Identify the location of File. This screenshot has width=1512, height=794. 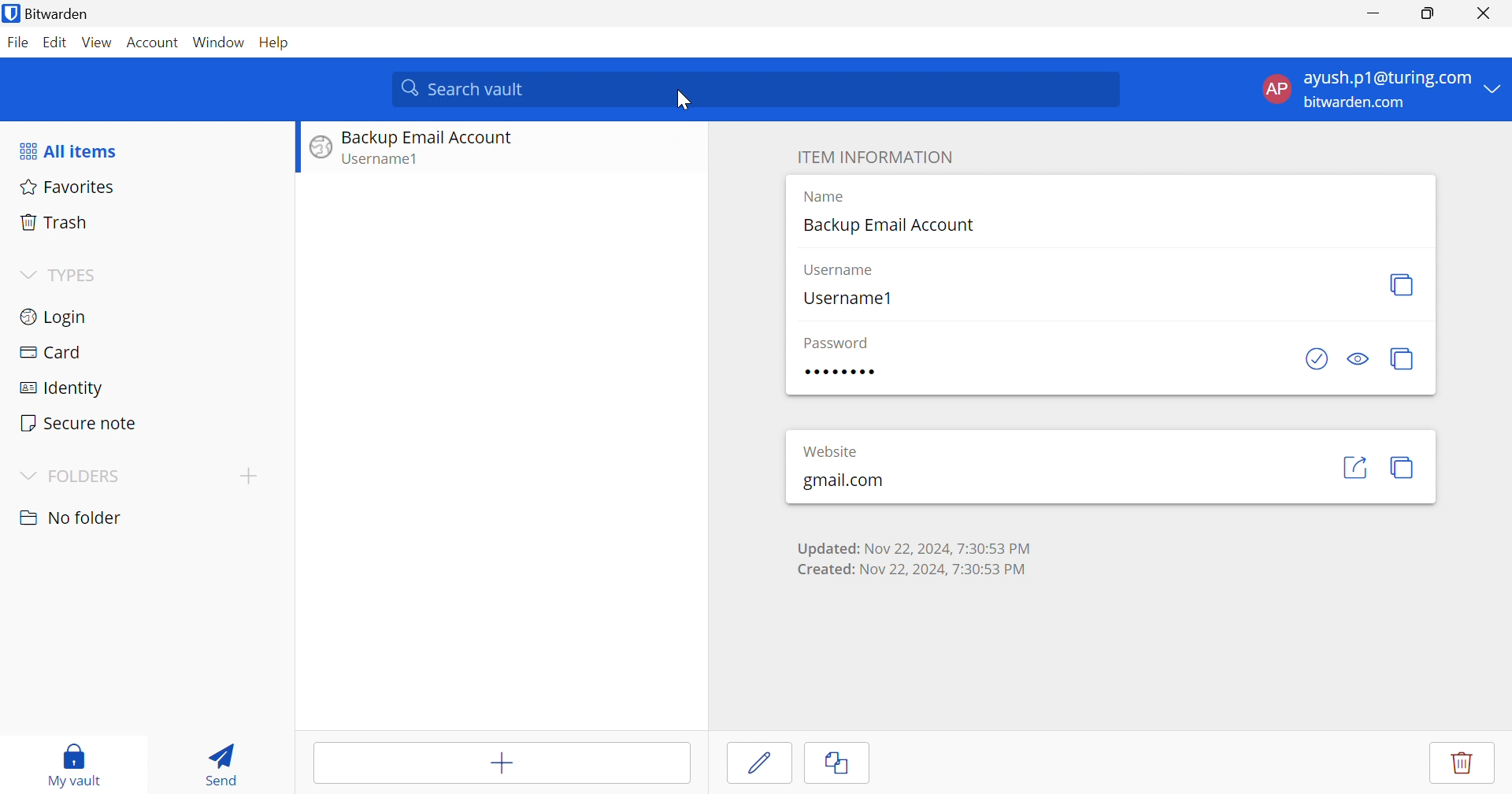
(17, 42).